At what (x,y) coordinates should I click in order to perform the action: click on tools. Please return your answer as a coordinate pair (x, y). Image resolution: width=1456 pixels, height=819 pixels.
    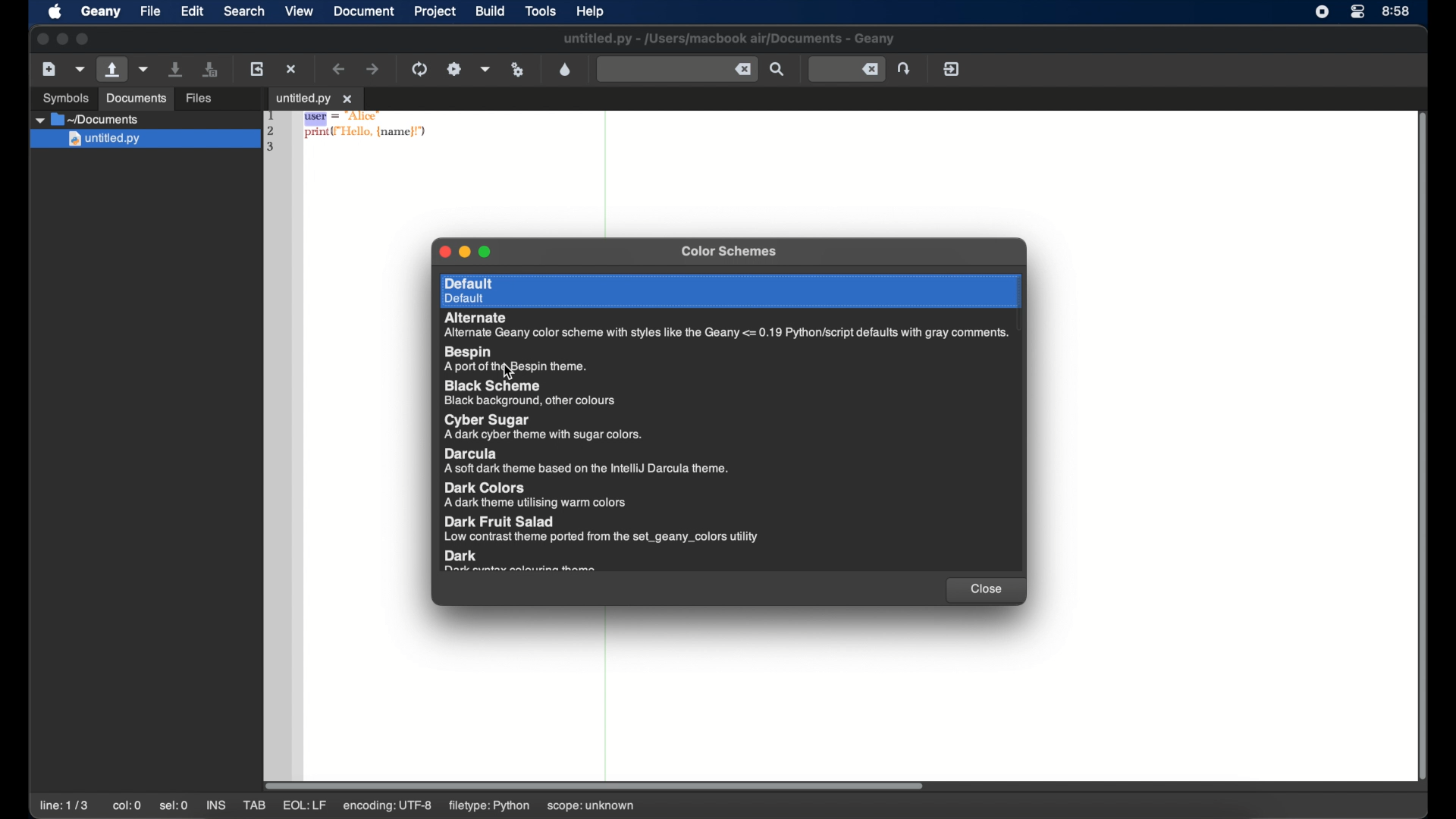
    Looking at the image, I should click on (541, 11).